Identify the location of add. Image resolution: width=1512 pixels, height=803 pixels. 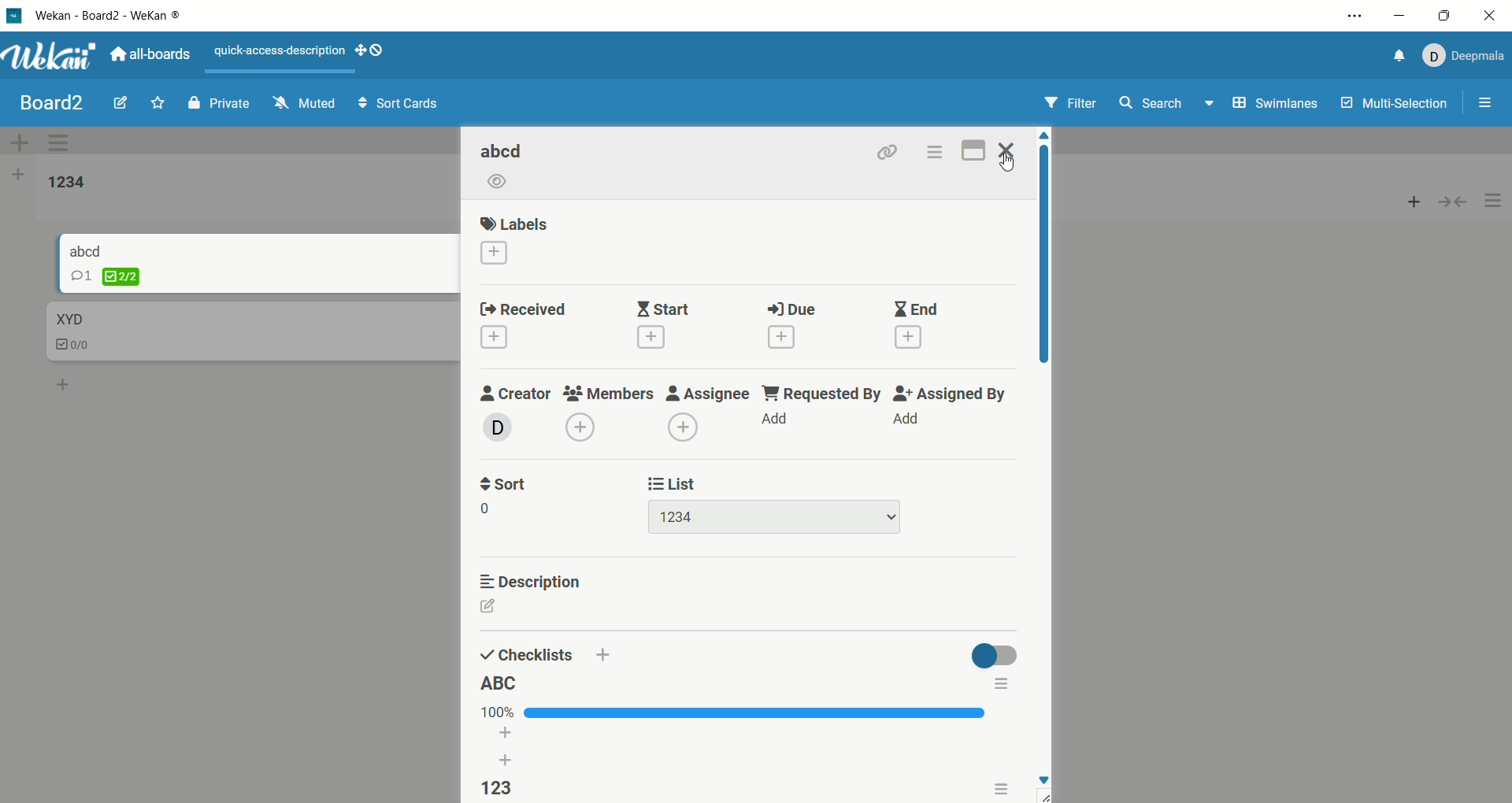
(57, 382).